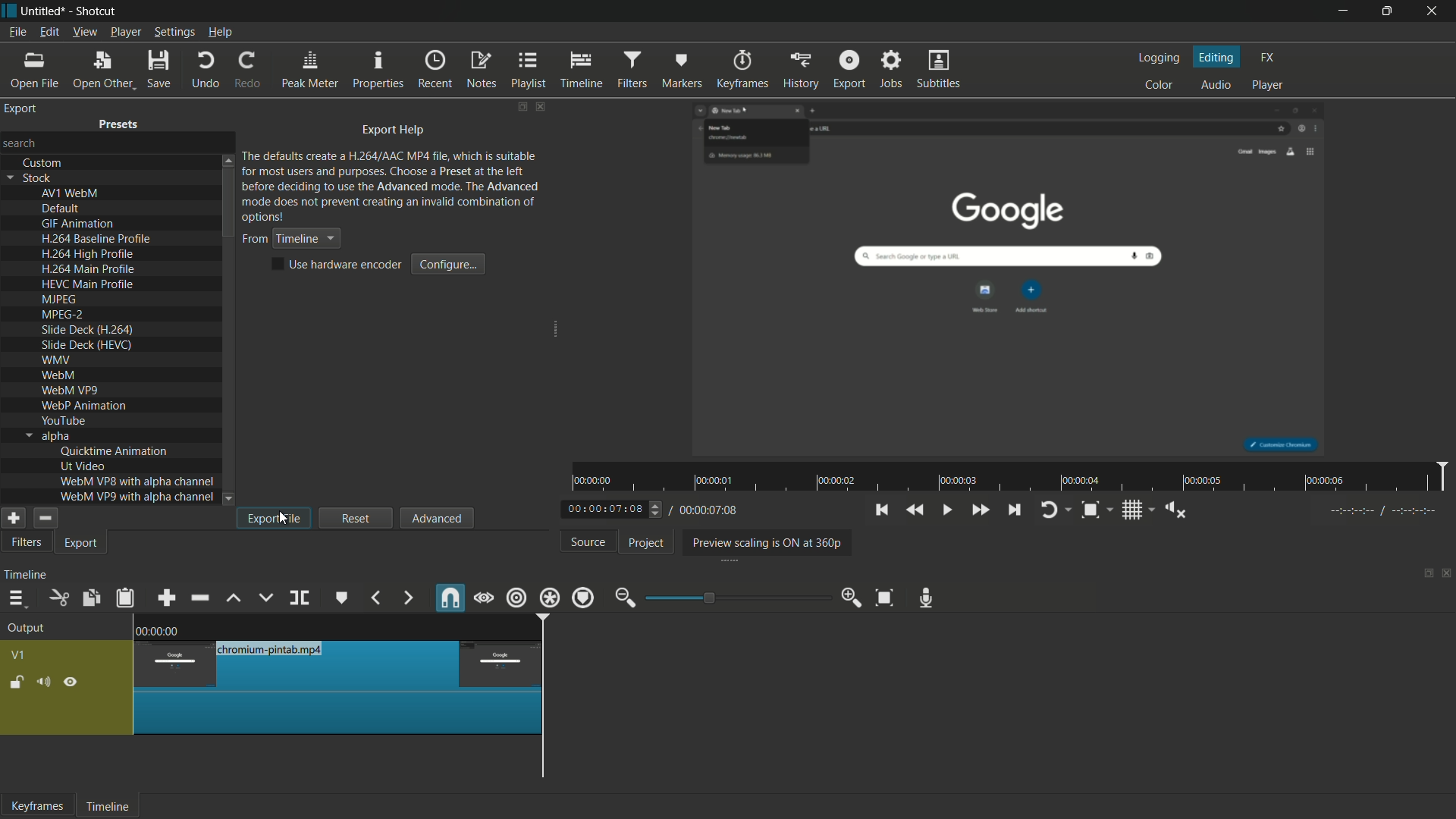 Image resolution: width=1456 pixels, height=819 pixels. I want to click on source, so click(589, 541).